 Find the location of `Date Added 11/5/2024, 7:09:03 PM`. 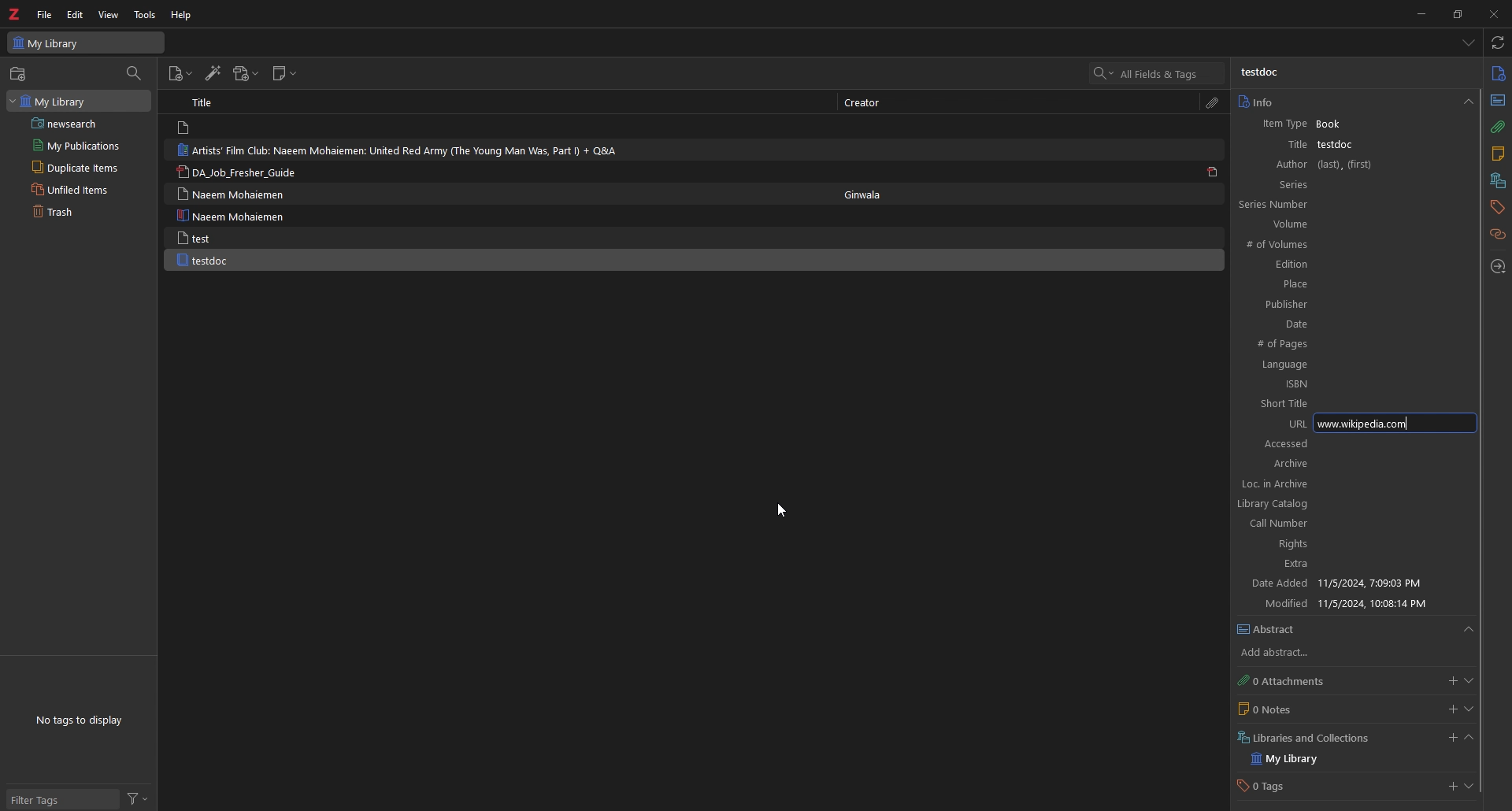

Date Added 11/5/2024, 7:09:03 PM is located at coordinates (1350, 584).